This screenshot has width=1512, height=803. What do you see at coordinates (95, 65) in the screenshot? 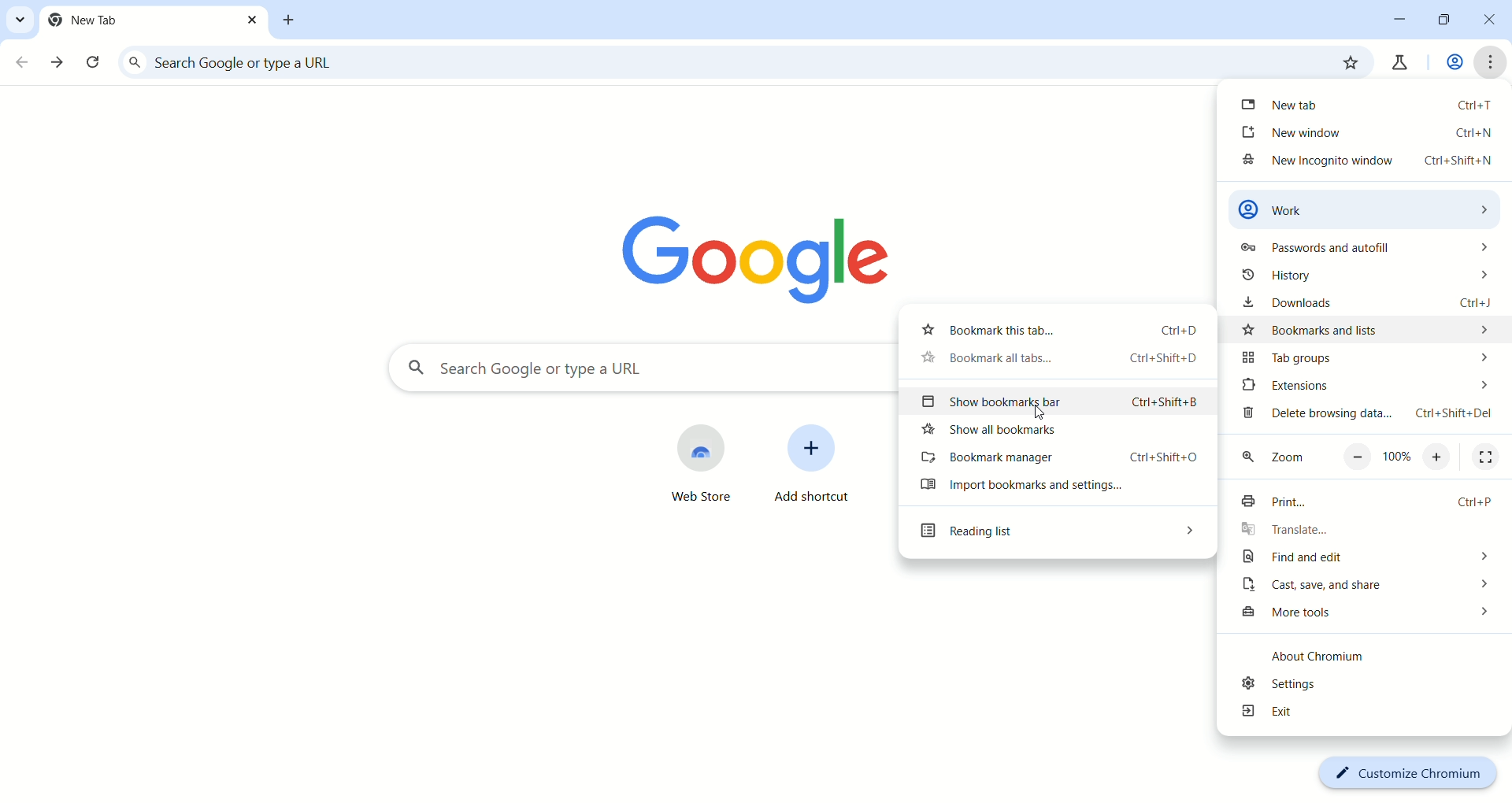
I see `reload` at bounding box center [95, 65].